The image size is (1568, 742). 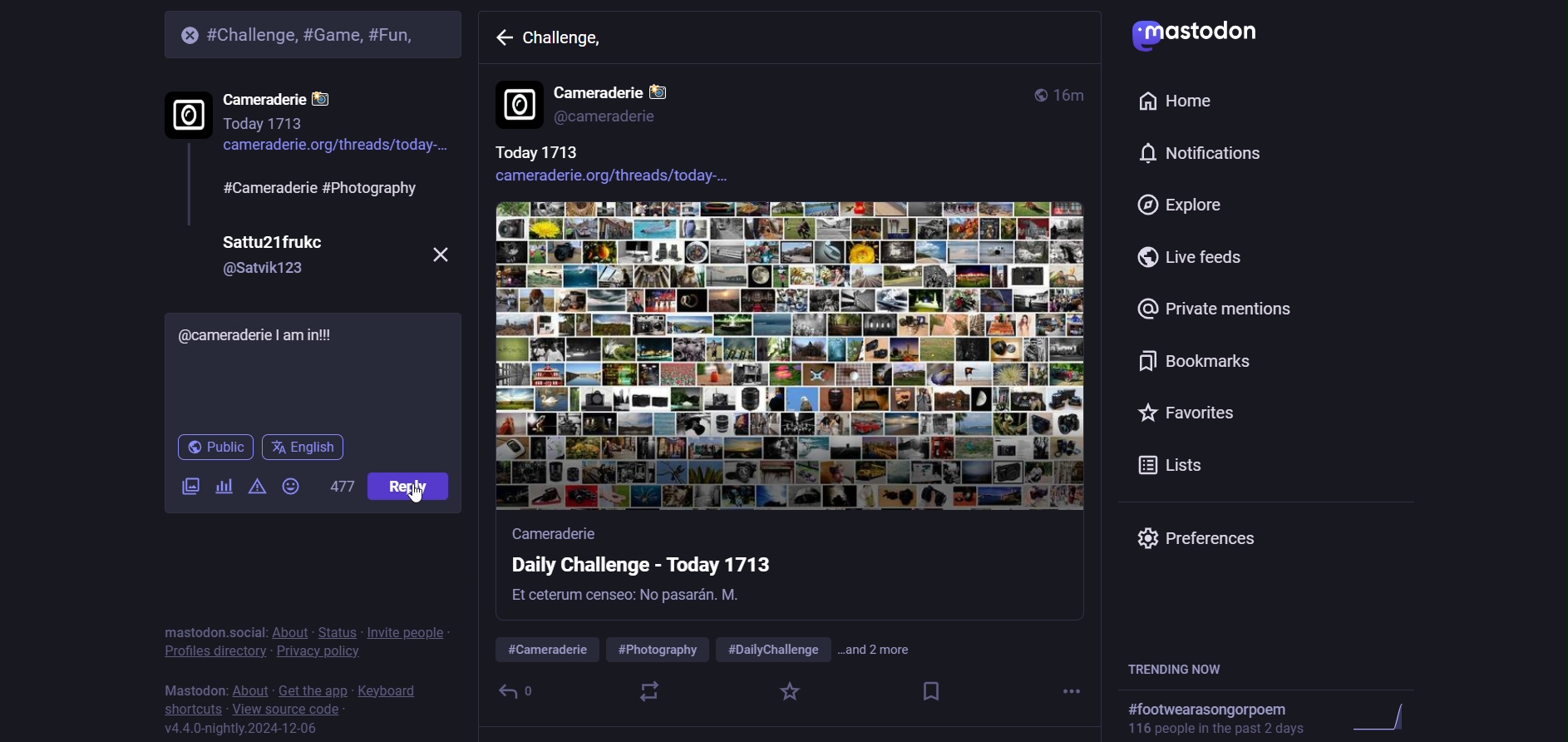 What do you see at coordinates (1202, 32) in the screenshot?
I see `mastodon` at bounding box center [1202, 32].